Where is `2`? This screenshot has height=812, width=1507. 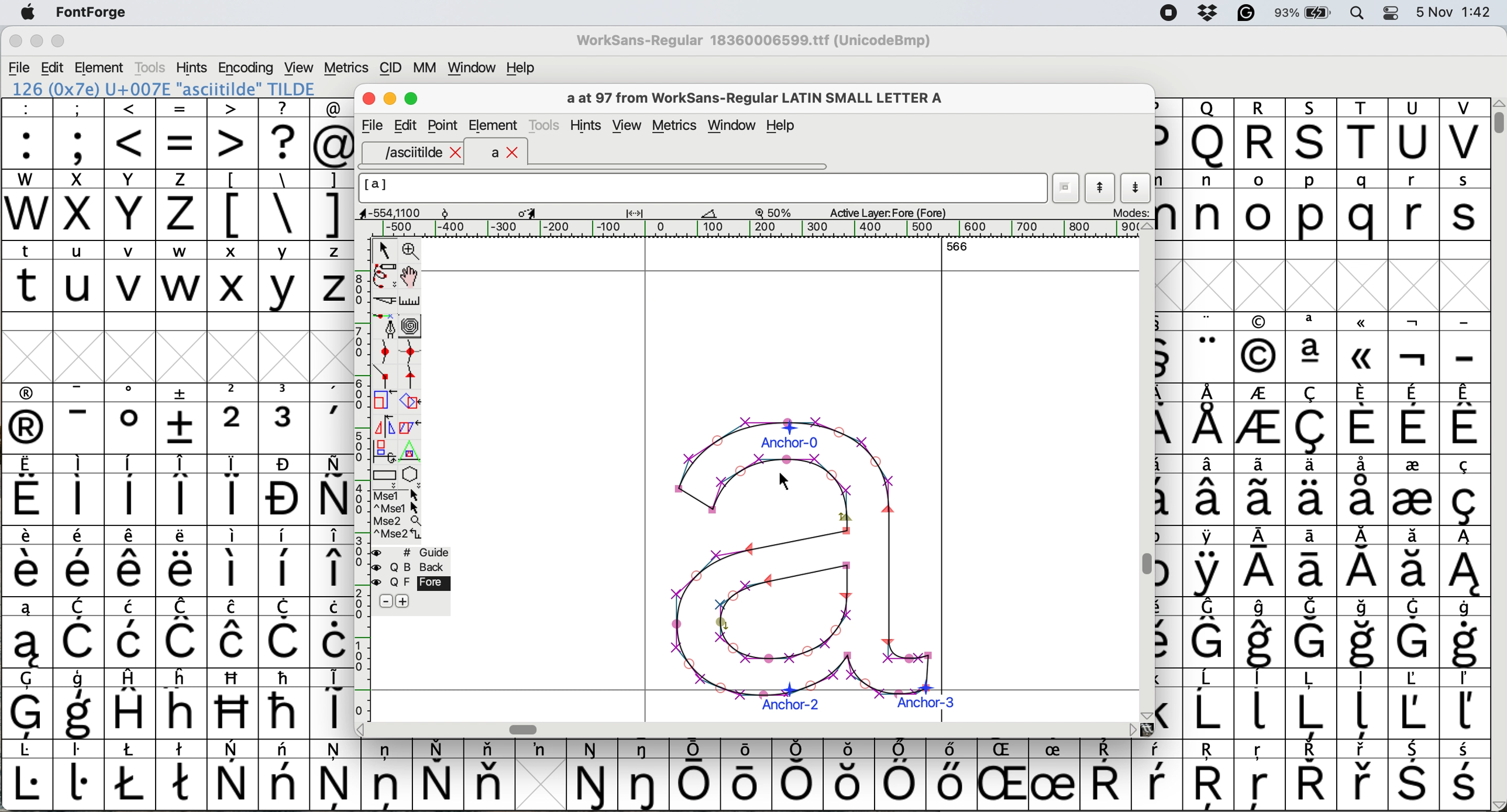
2 is located at coordinates (233, 418).